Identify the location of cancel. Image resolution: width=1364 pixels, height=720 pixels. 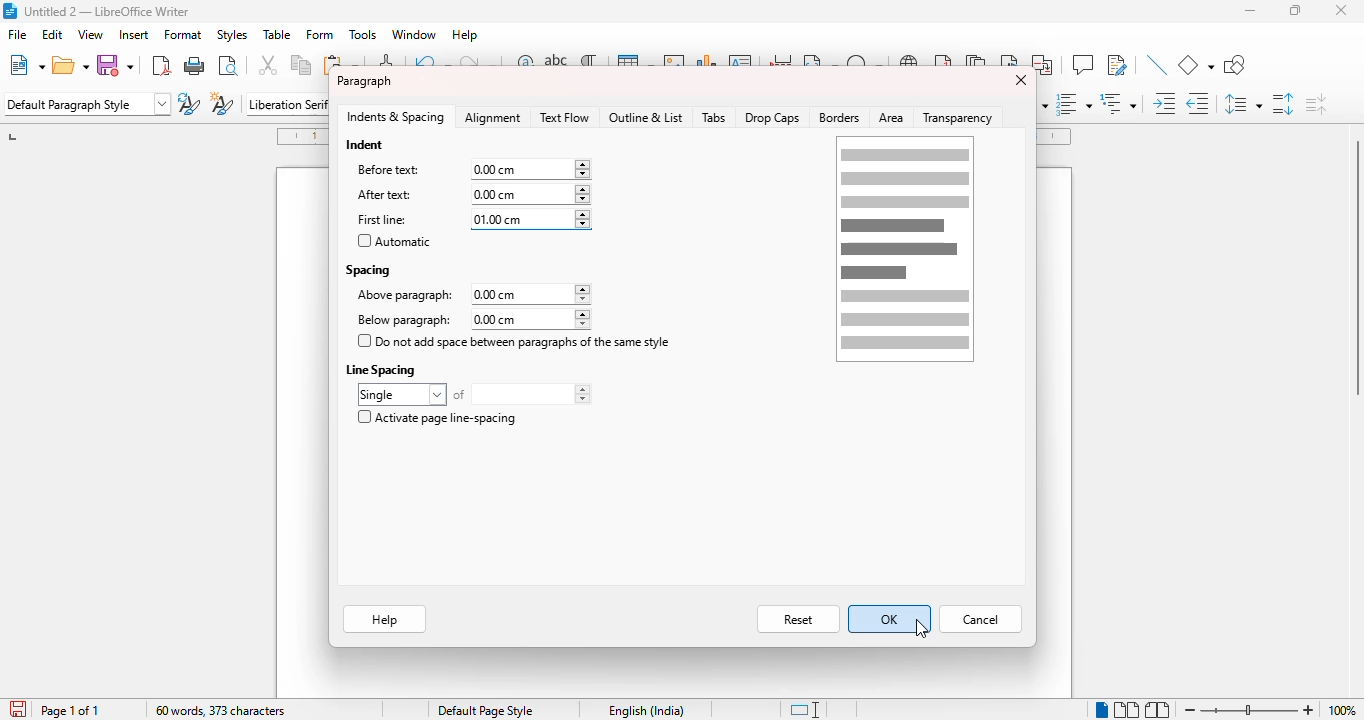
(981, 620).